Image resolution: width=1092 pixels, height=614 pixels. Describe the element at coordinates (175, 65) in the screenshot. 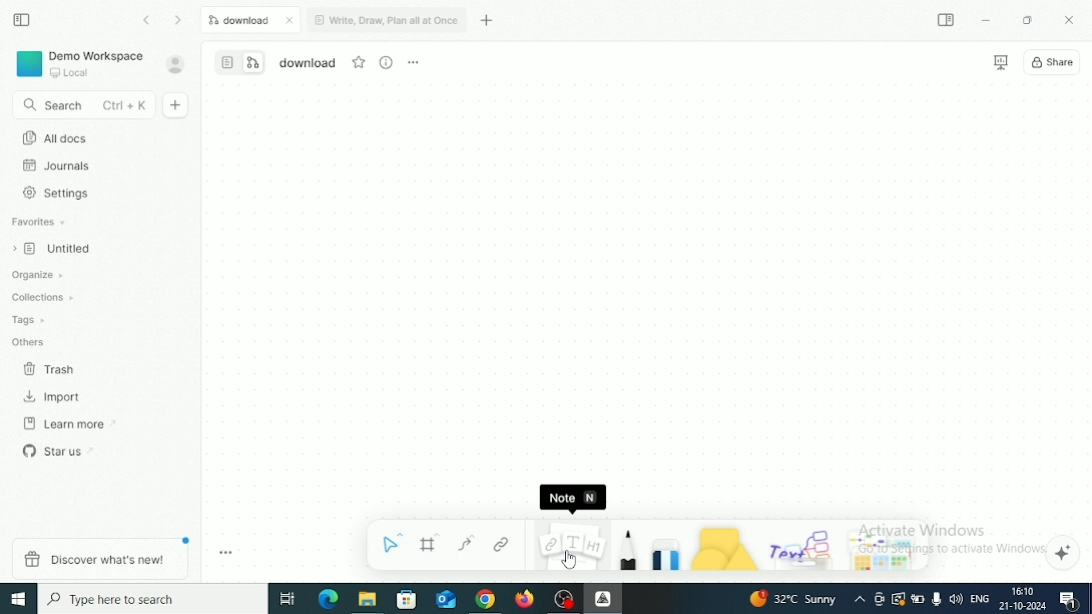

I see `Account` at that location.